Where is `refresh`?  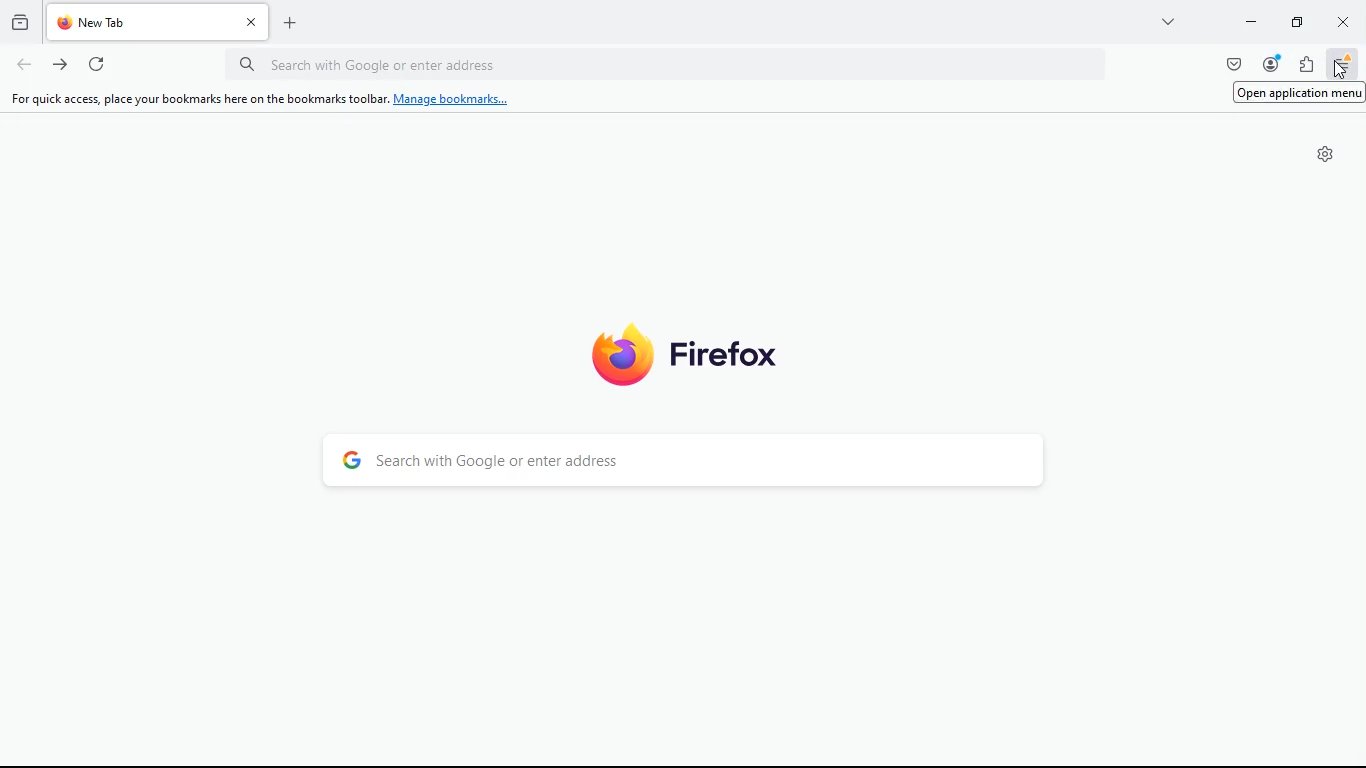
refresh is located at coordinates (99, 65).